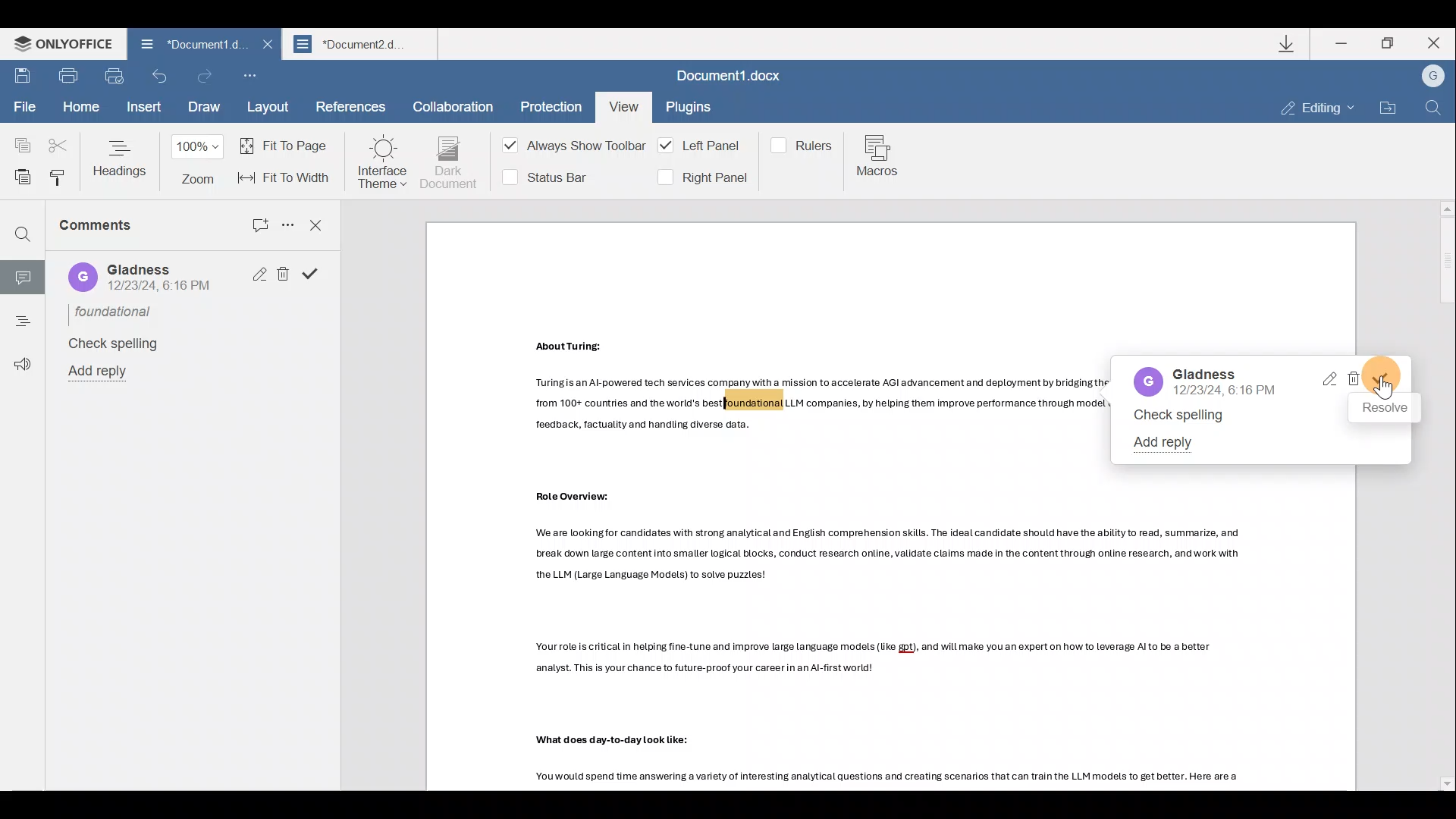 This screenshot has height=819, width=1456. I want to click on , so click(877, 657).